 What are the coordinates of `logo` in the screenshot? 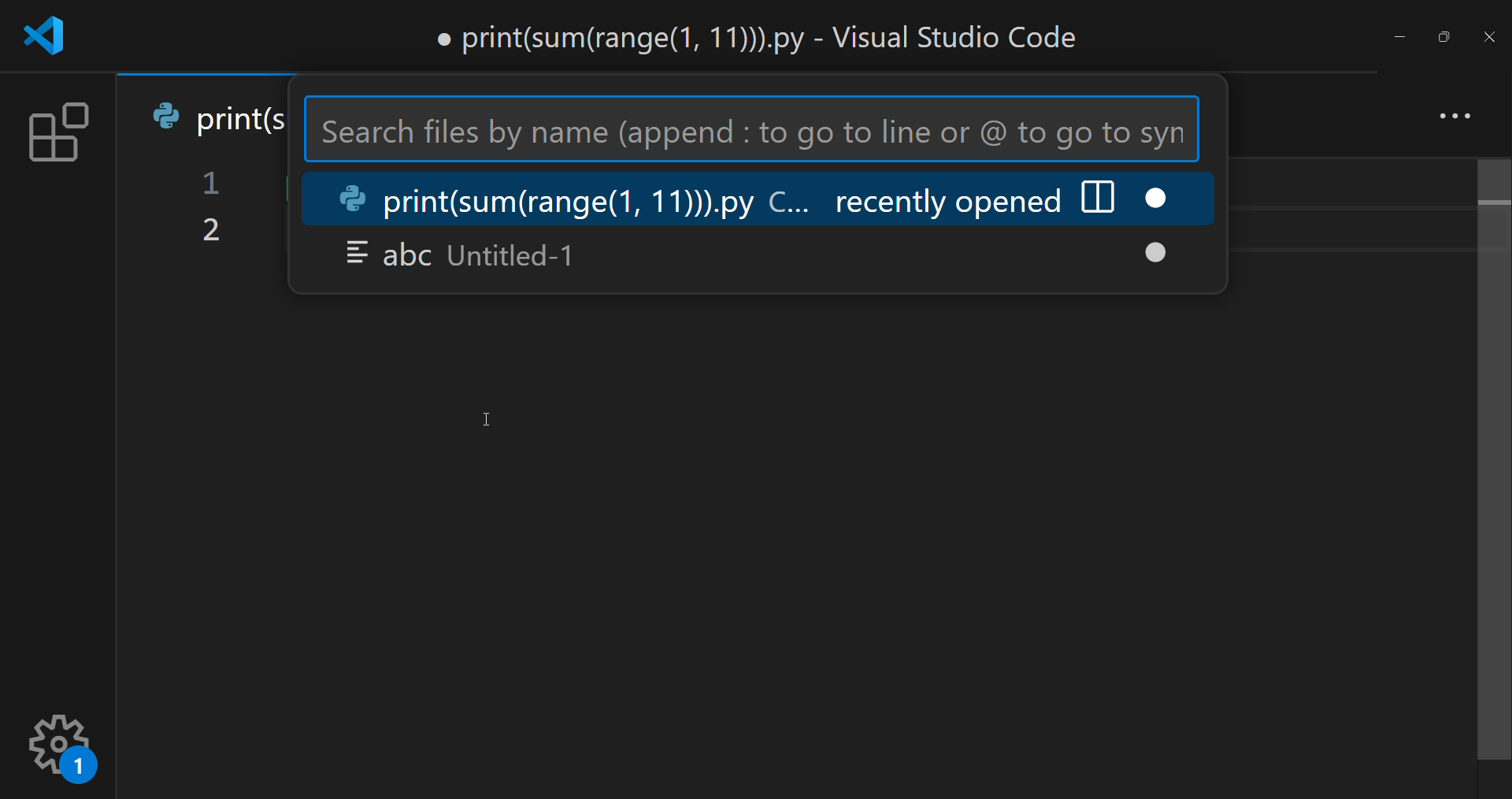 It's located at (47, 38).